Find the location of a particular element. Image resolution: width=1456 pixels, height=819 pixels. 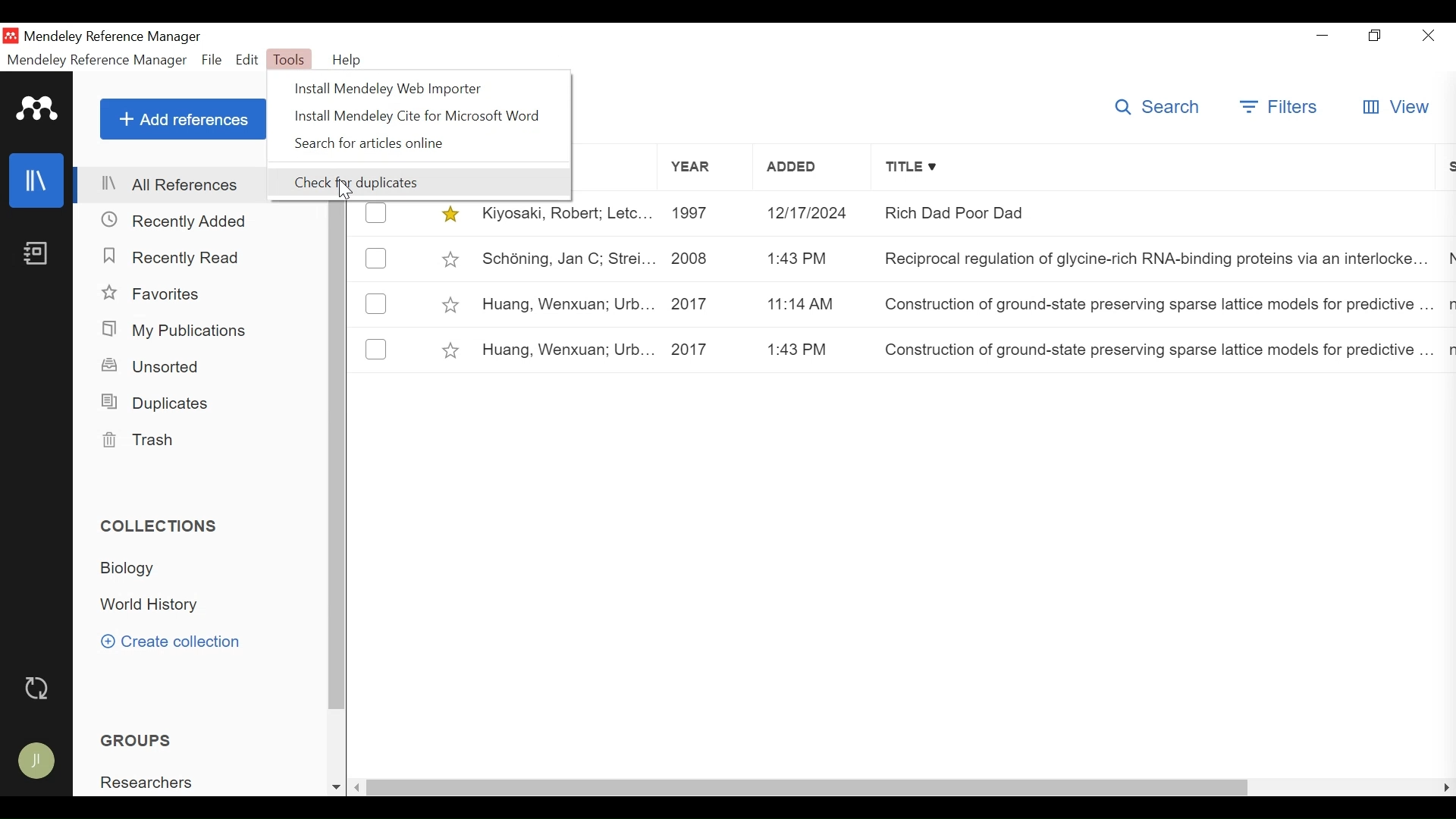

Filters is located at coordinates (1282, 108).